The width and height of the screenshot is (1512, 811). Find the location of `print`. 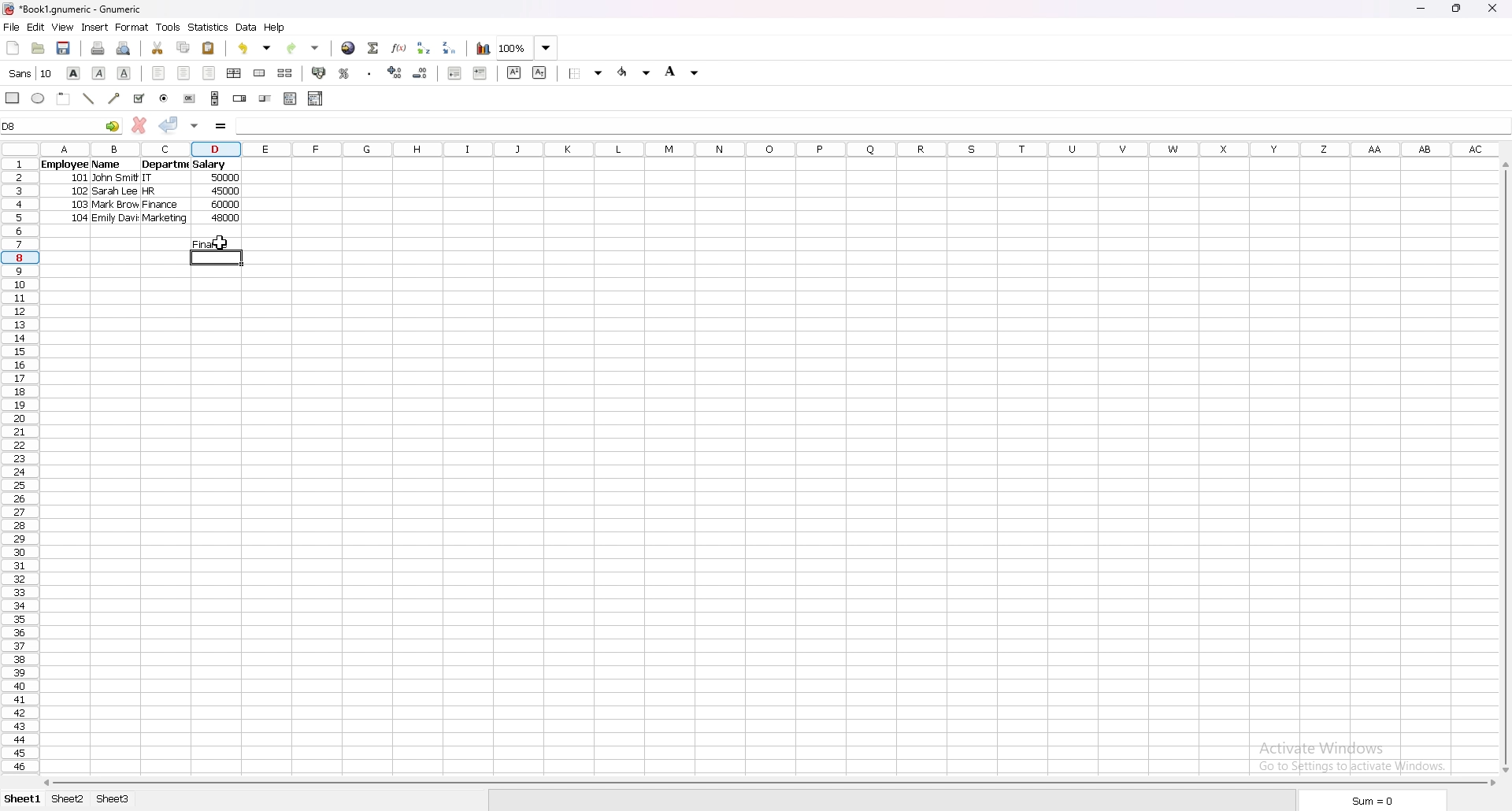

print is located at coordinates (99, 48).